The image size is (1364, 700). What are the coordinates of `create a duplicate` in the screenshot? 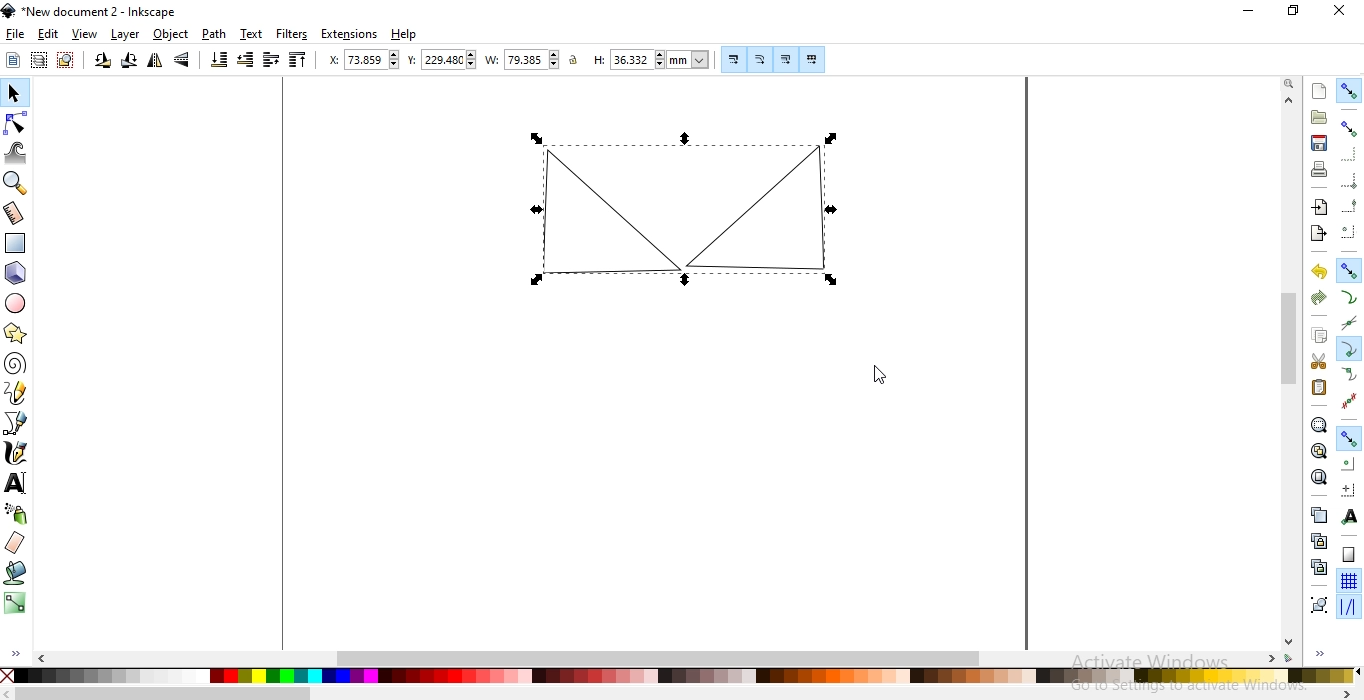 It's located at (1318, 515).